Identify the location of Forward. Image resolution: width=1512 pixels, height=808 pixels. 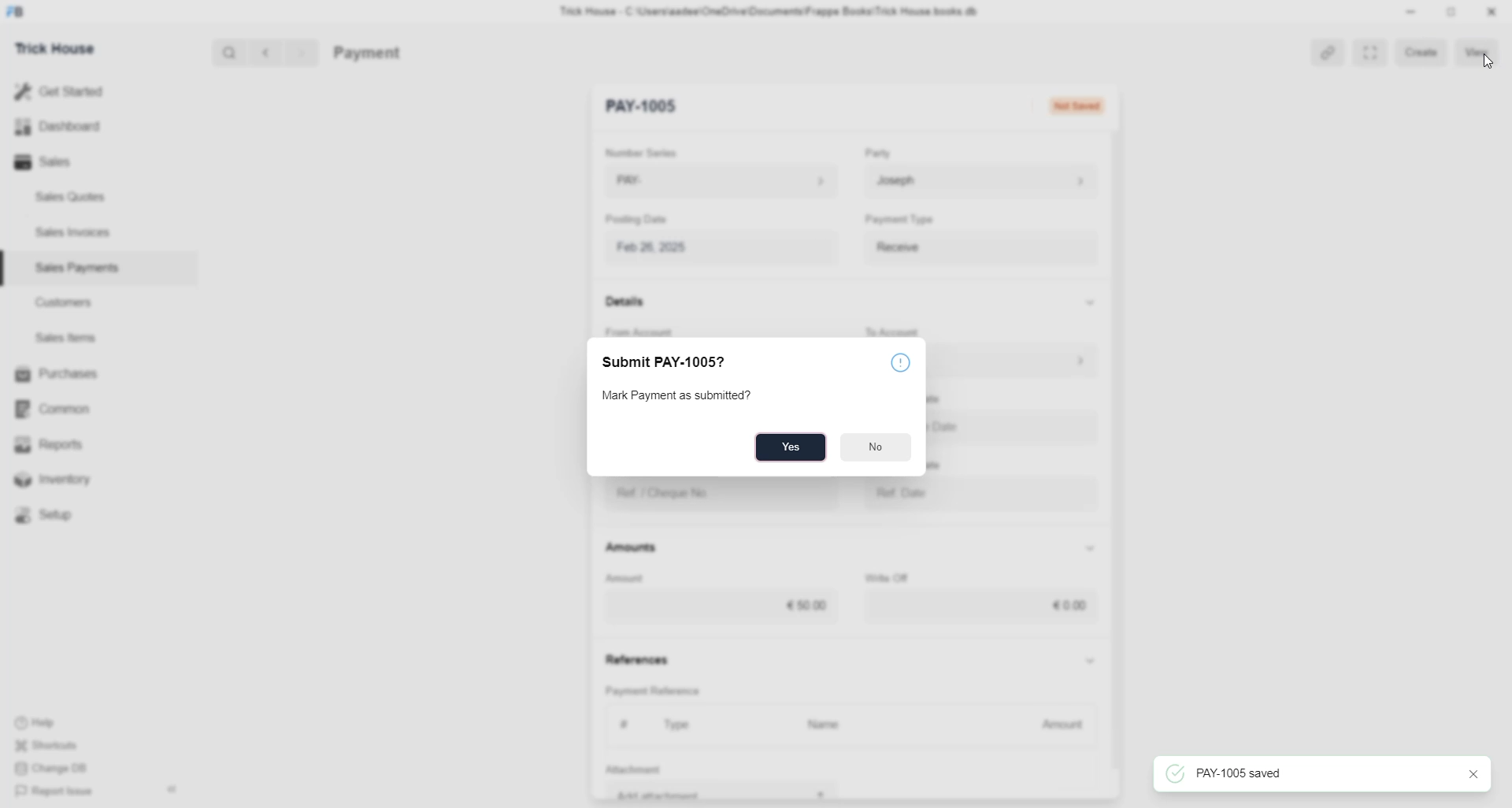
(302, 54).